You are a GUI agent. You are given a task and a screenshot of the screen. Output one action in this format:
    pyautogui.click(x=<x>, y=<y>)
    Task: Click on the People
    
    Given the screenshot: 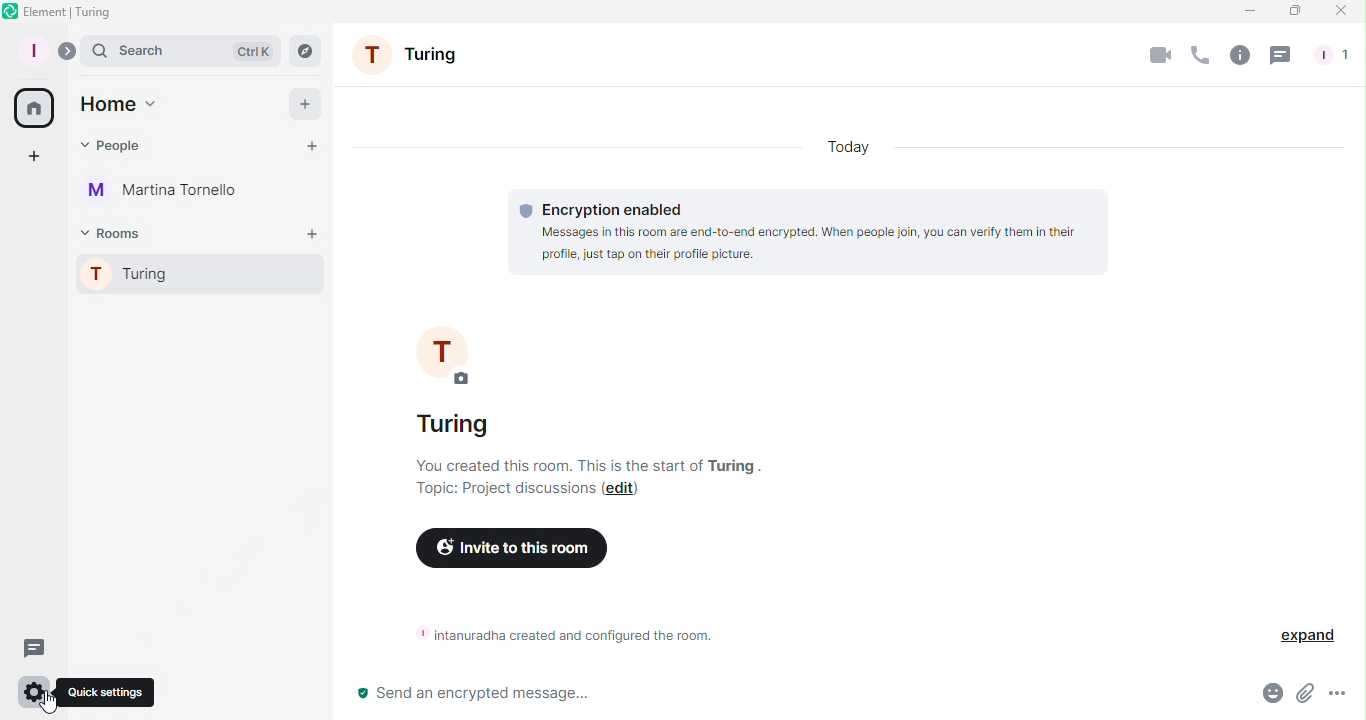 What is the action you would take?
    pyautogui.click(x=114, y=148)
    